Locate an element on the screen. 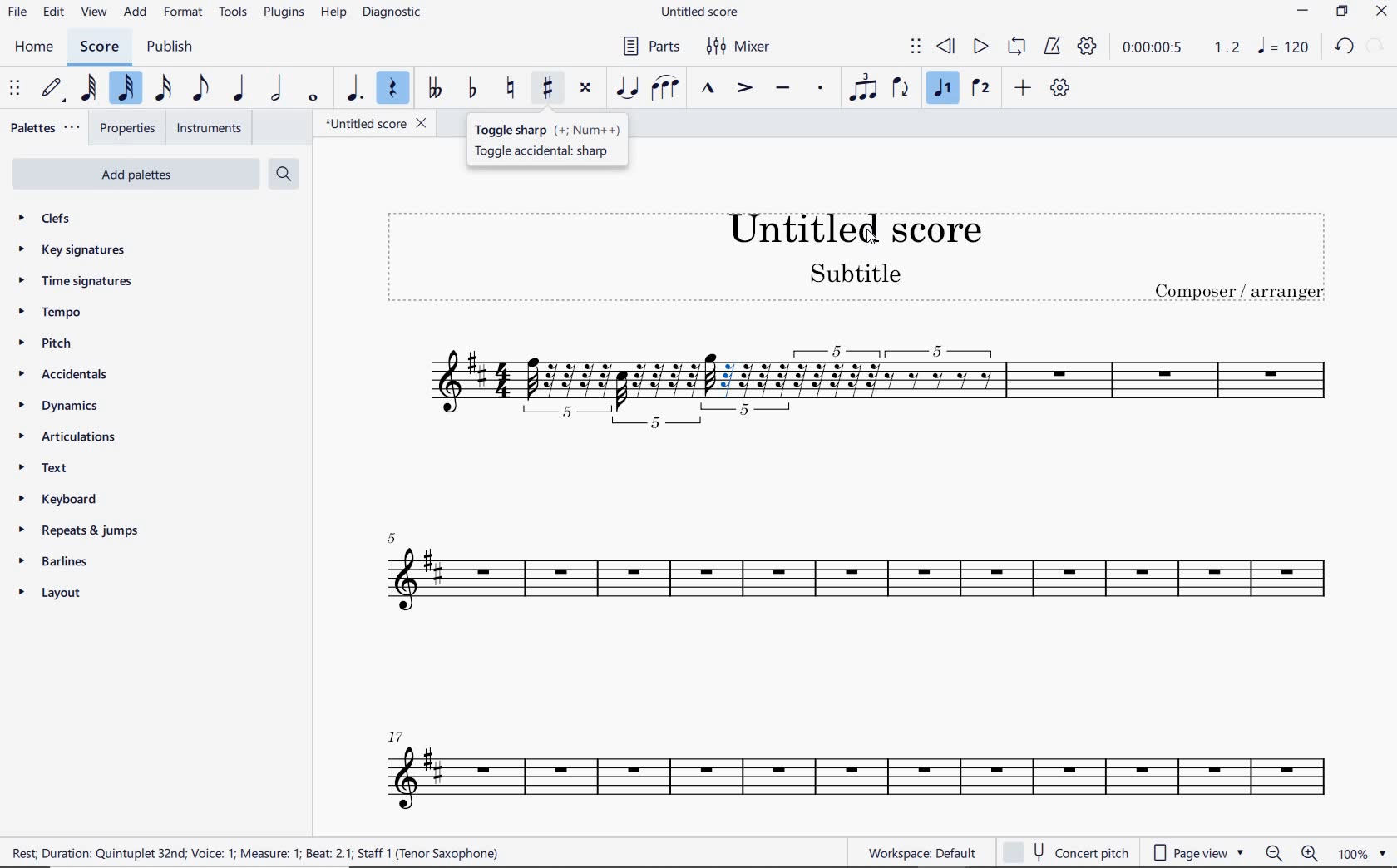 The width and height of the screenshot is (1397, 868). HOME is located at coordinates (34, 47).